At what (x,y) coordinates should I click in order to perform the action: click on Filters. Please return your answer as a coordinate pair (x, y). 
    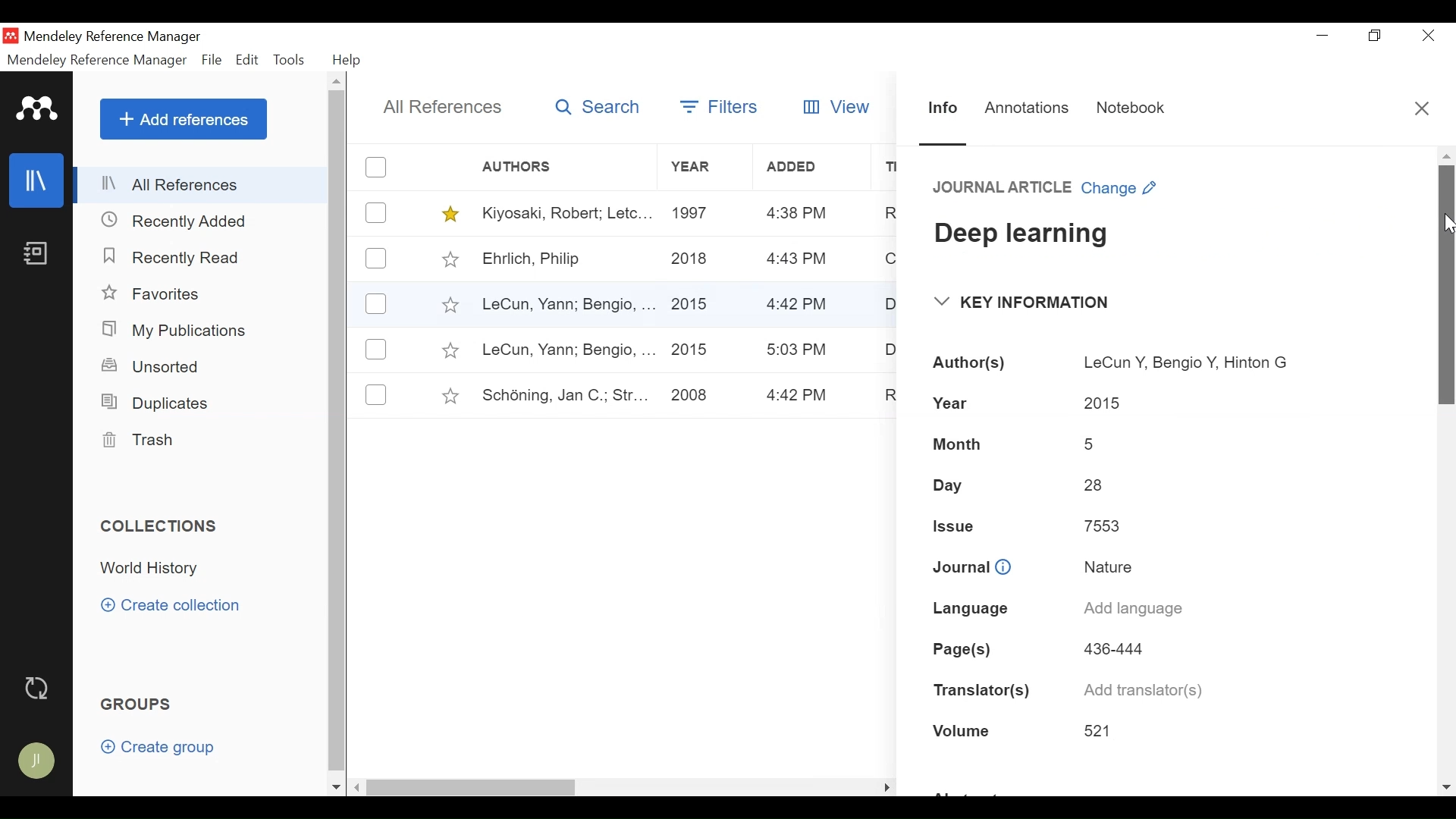
    Looking at the image, I should click on (722, 104).